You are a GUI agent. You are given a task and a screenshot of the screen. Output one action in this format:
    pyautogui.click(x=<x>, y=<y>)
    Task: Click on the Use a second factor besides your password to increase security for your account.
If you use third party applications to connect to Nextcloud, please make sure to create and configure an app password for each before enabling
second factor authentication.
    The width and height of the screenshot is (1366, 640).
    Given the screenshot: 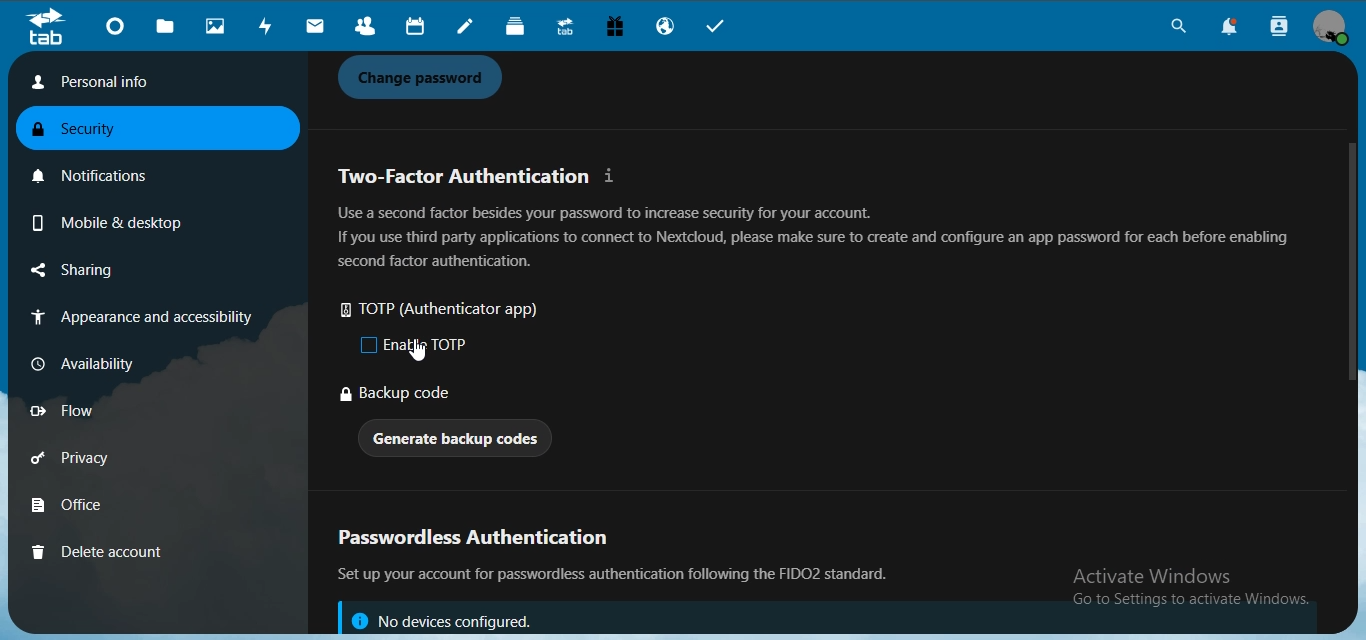 What is the action you would take?
    pyautogui.click(x=813, y=237)
    